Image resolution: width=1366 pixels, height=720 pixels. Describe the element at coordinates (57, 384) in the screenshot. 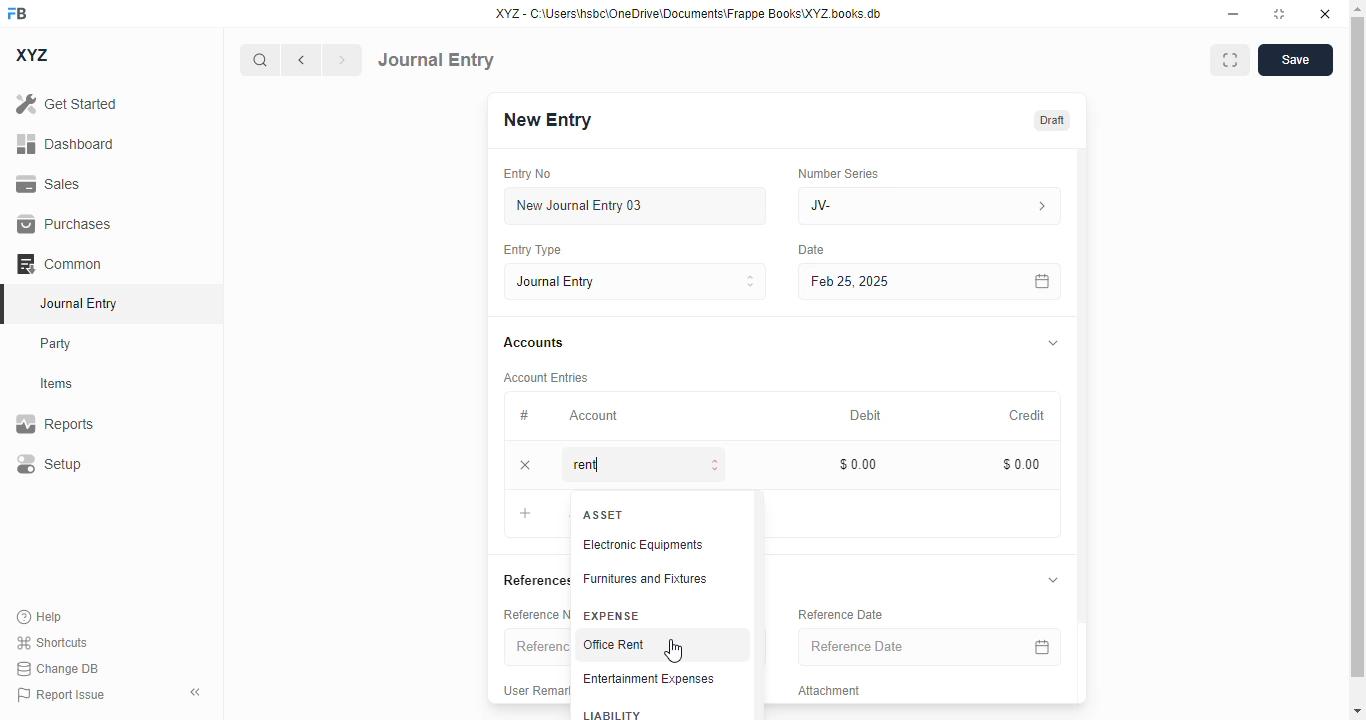

I see `items` at that location.